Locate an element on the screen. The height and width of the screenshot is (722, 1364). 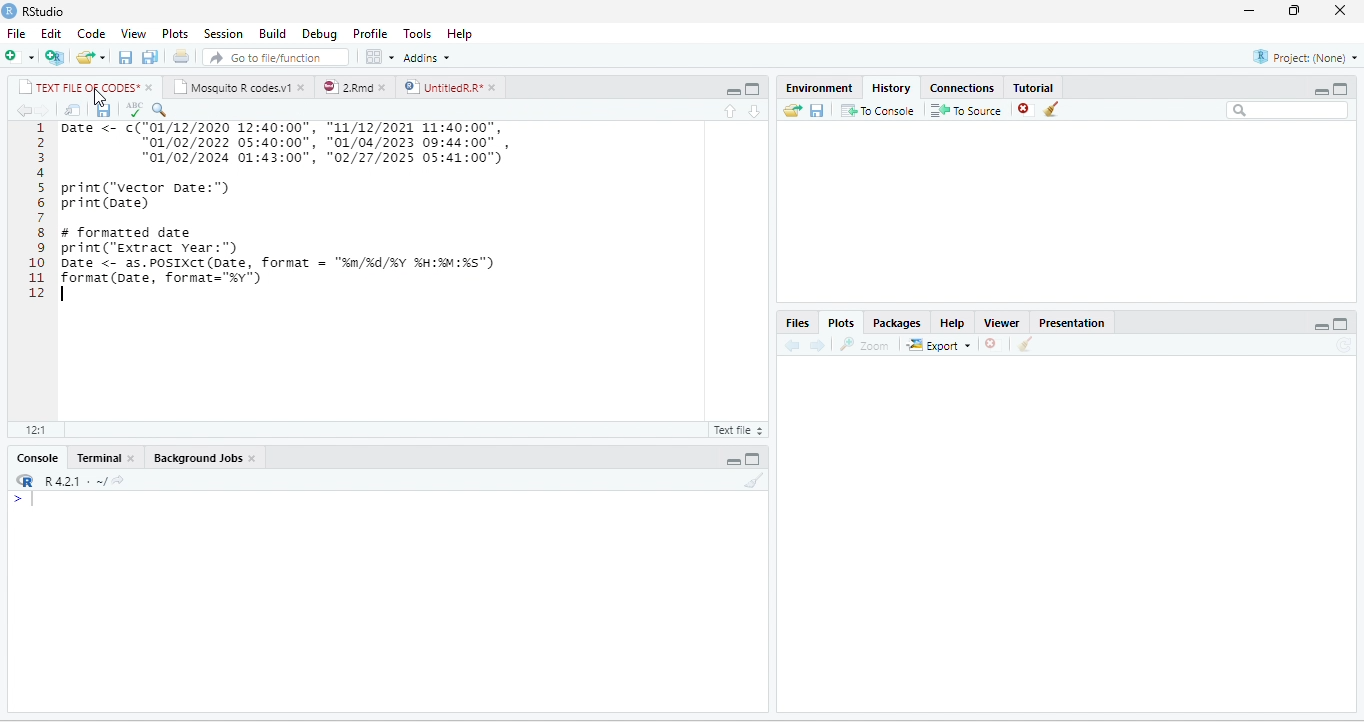
ABC is located at coordinates (135, 109).